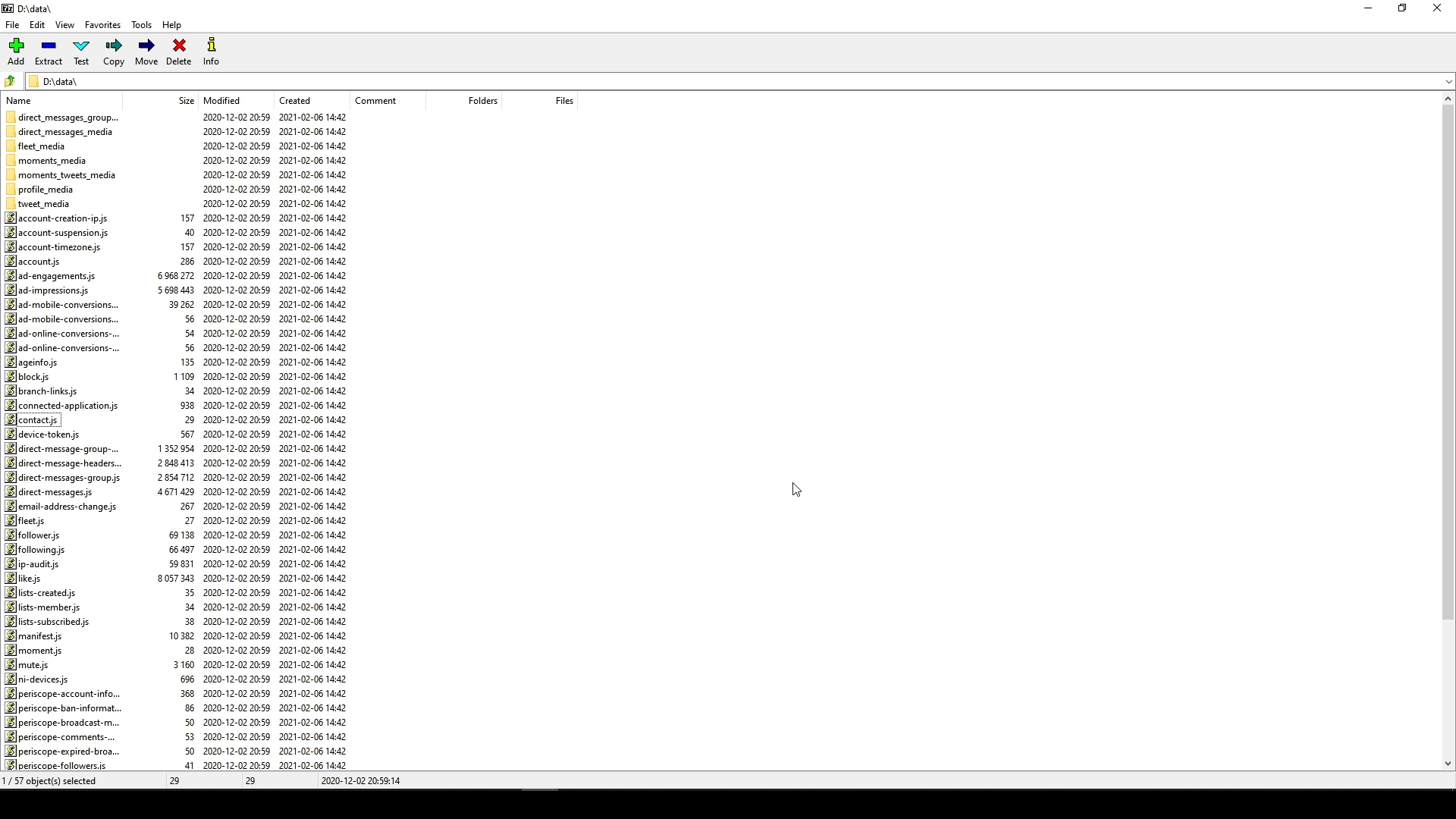 This screenshot has width=1456, height=819. What do you see at coordinates (59, 737) in the screenshot?
I see `periscope-comments` at bounding box center [59, 737].